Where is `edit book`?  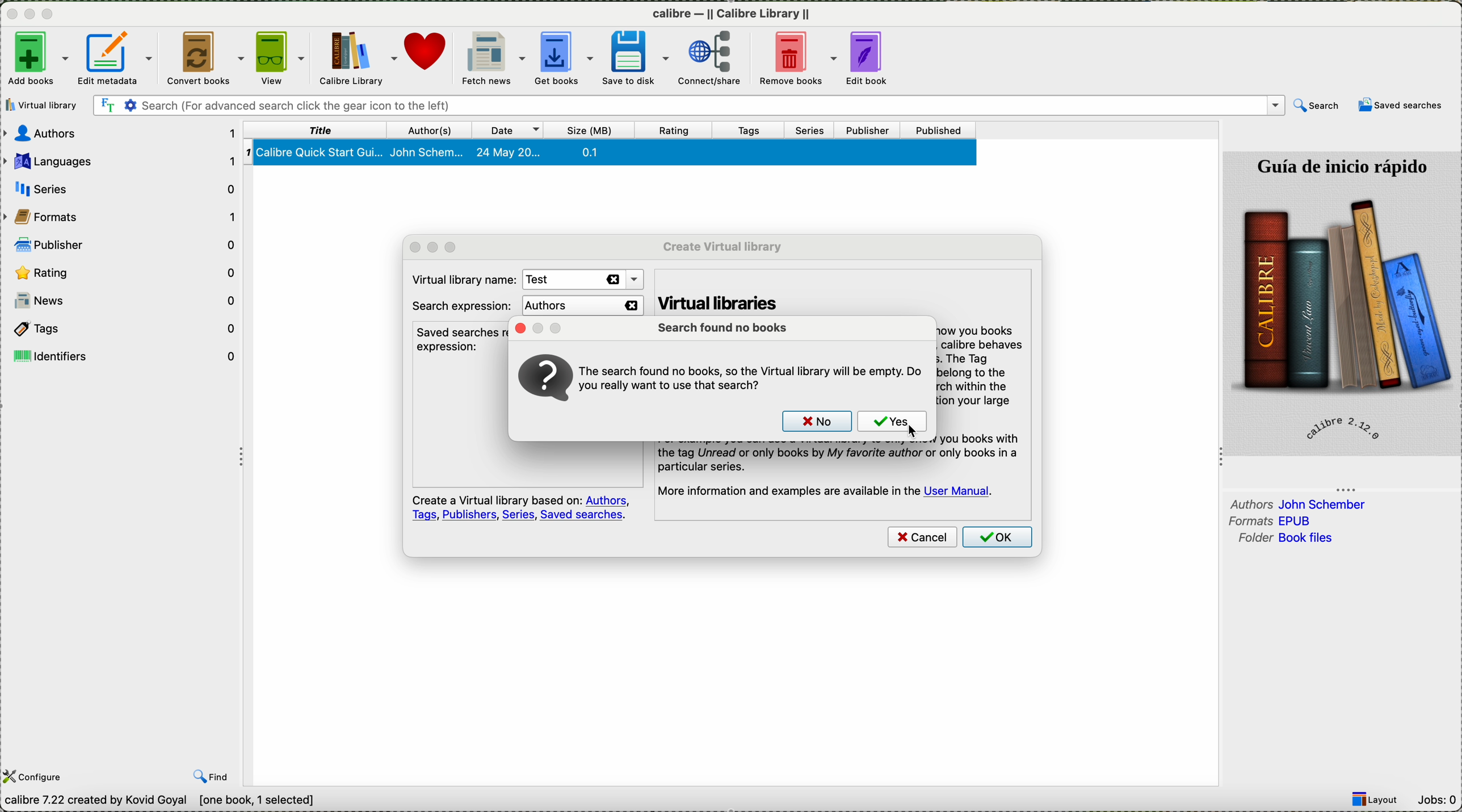
edit book is located at coordinates (872, 58).